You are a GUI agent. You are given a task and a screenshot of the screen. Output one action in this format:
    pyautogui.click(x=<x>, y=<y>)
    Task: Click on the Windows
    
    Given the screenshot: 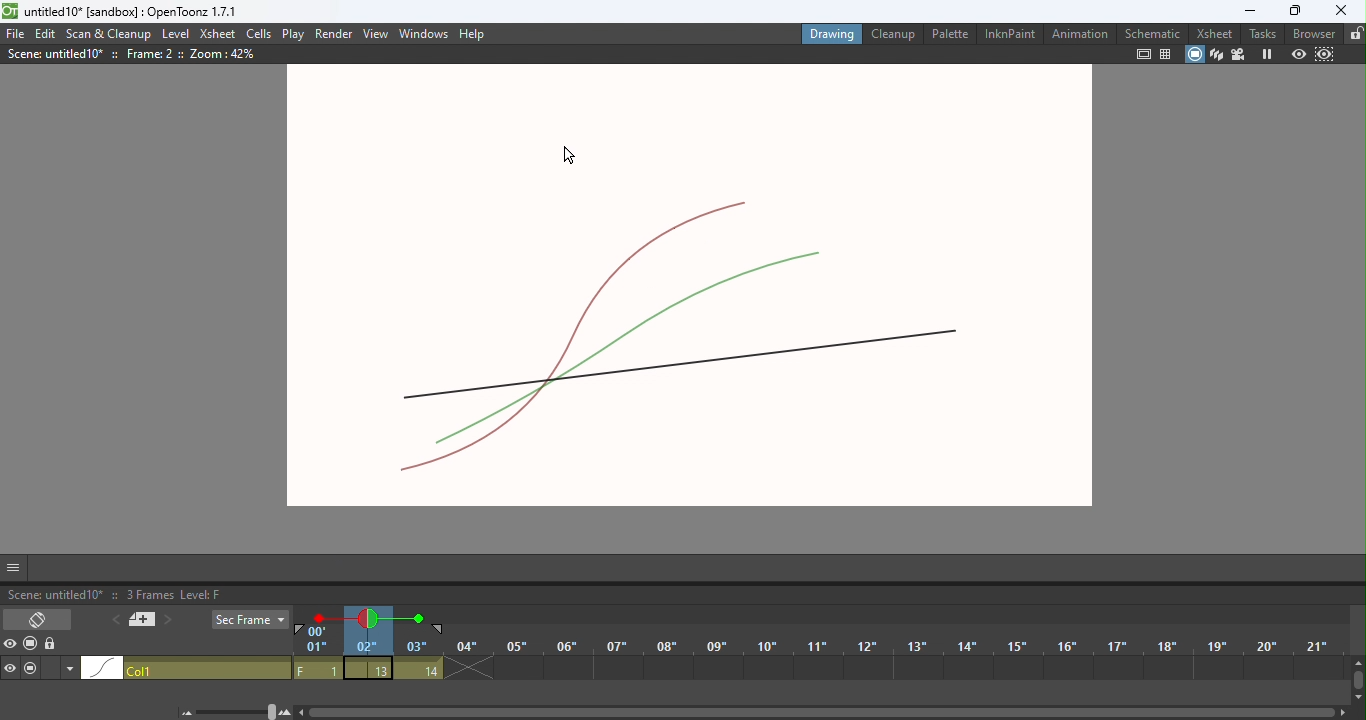 What is the action you would take?
    pyautogui.click(x=424, y=31)
    